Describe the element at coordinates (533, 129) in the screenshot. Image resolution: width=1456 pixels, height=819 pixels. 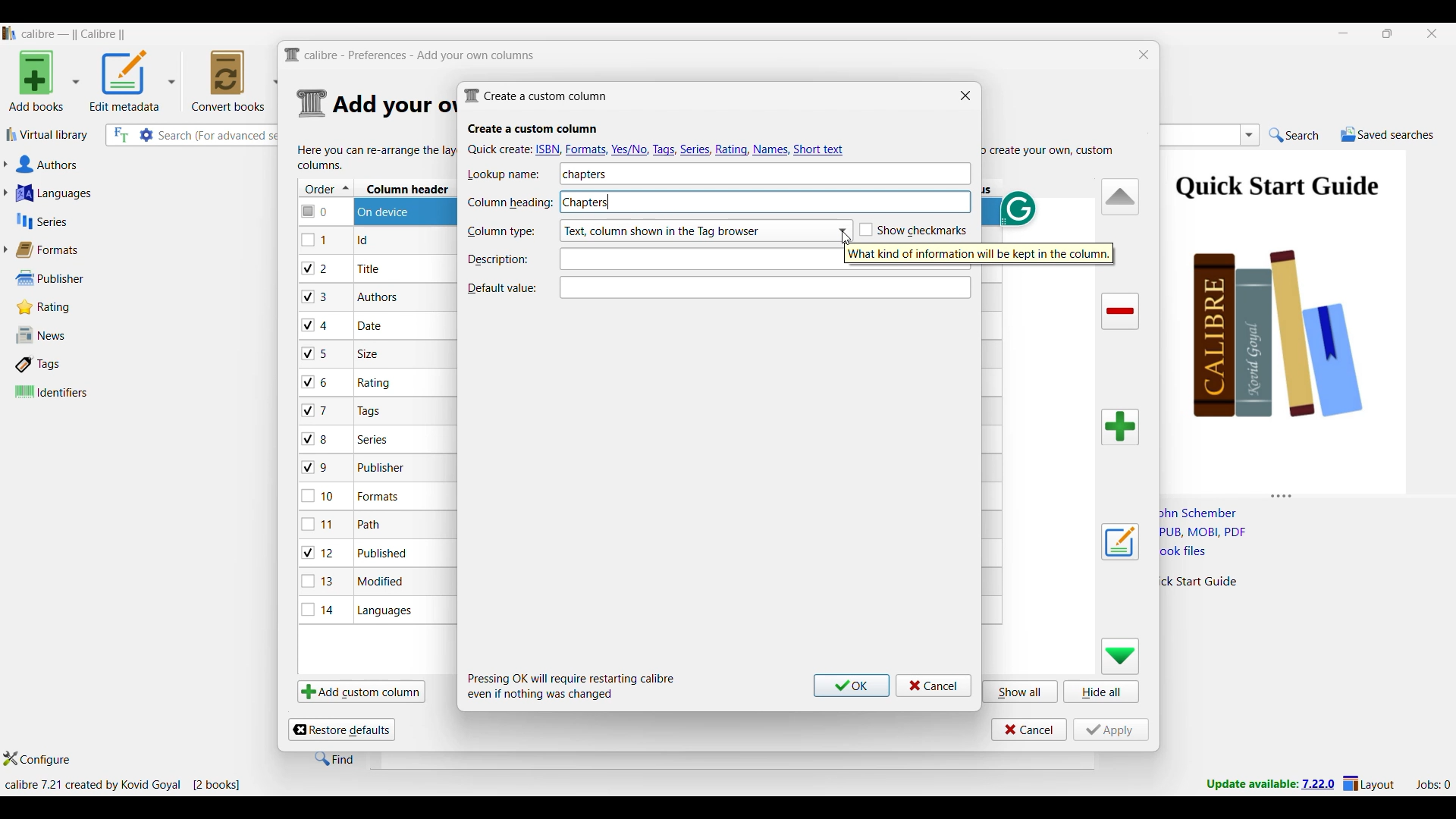
I see `Section title` at that location.